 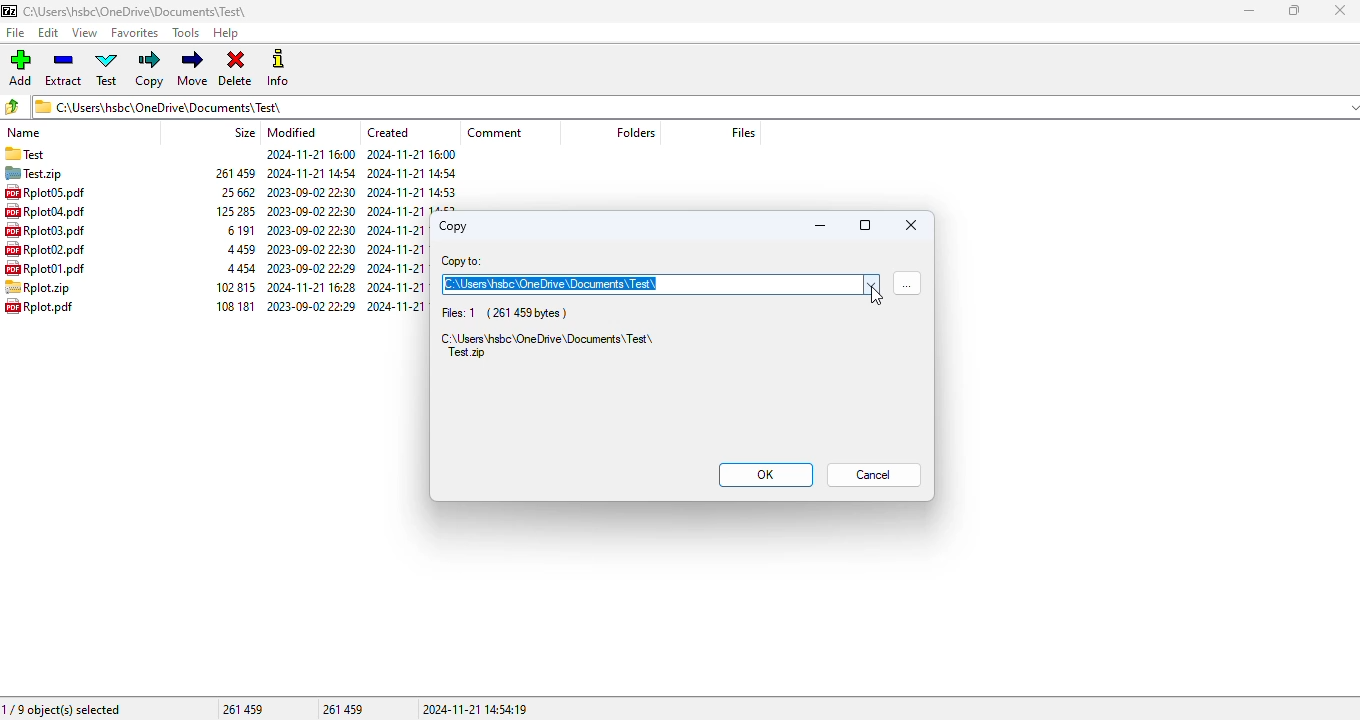 What do you see at coordinates (311, 287) in the screenshot?
I see `modified date & time` at bounding box center [311, 287].